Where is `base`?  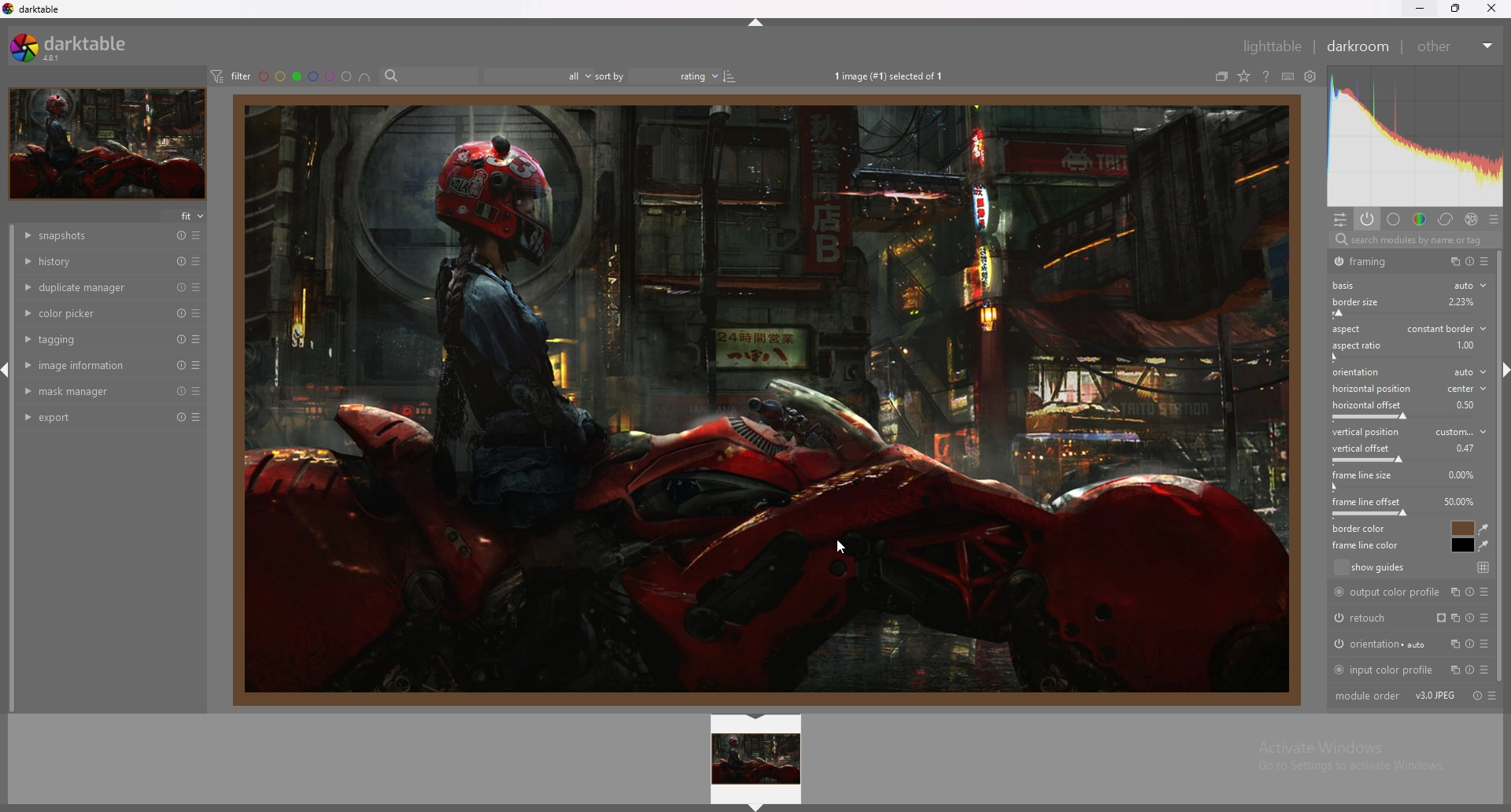
base is located at coordinates (1393, 219).